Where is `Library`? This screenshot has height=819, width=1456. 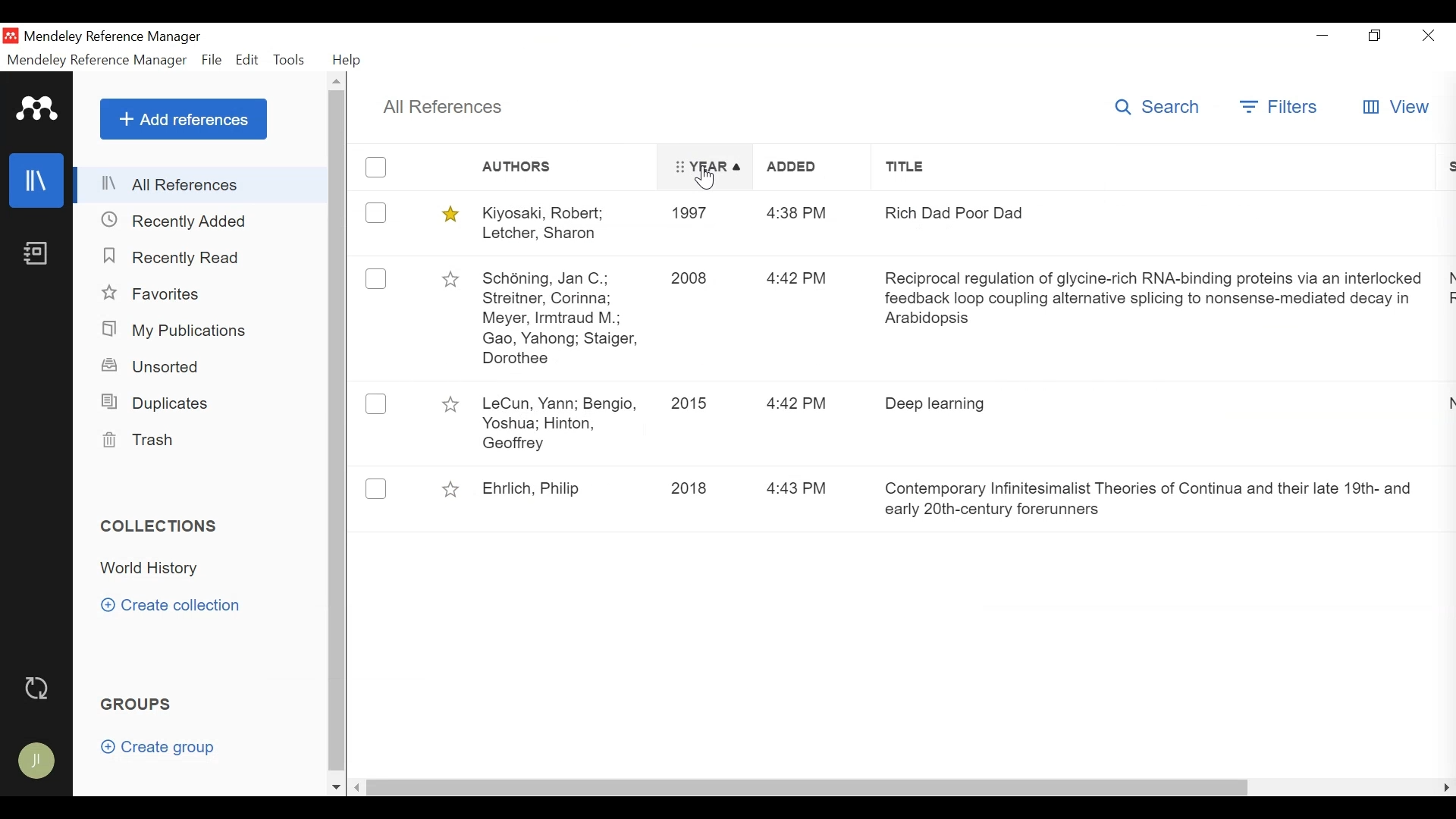
Library is located at coordinates (38, 180).